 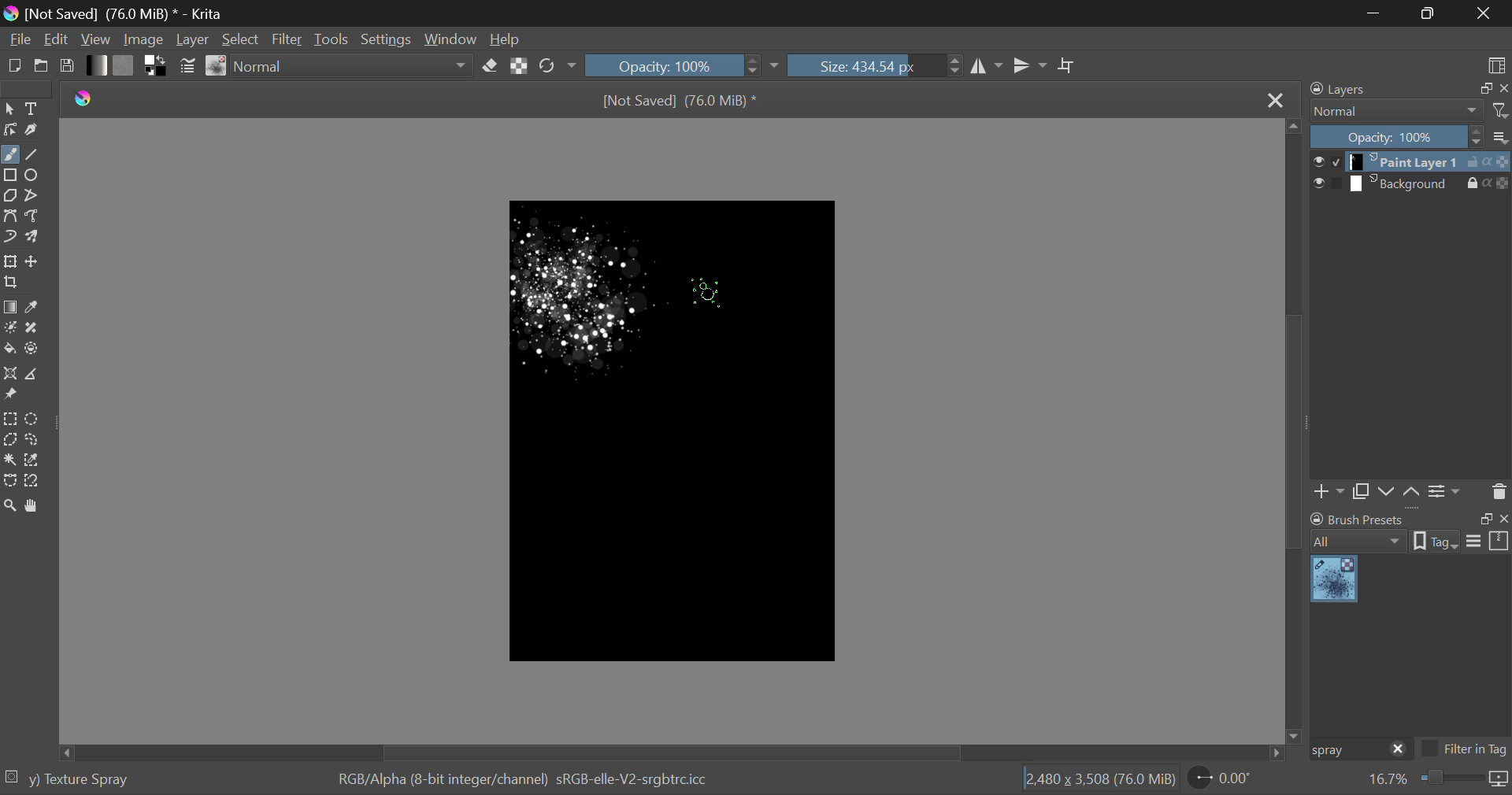 I want to click on Smart Patch Tool, so click(x=32, y=331).